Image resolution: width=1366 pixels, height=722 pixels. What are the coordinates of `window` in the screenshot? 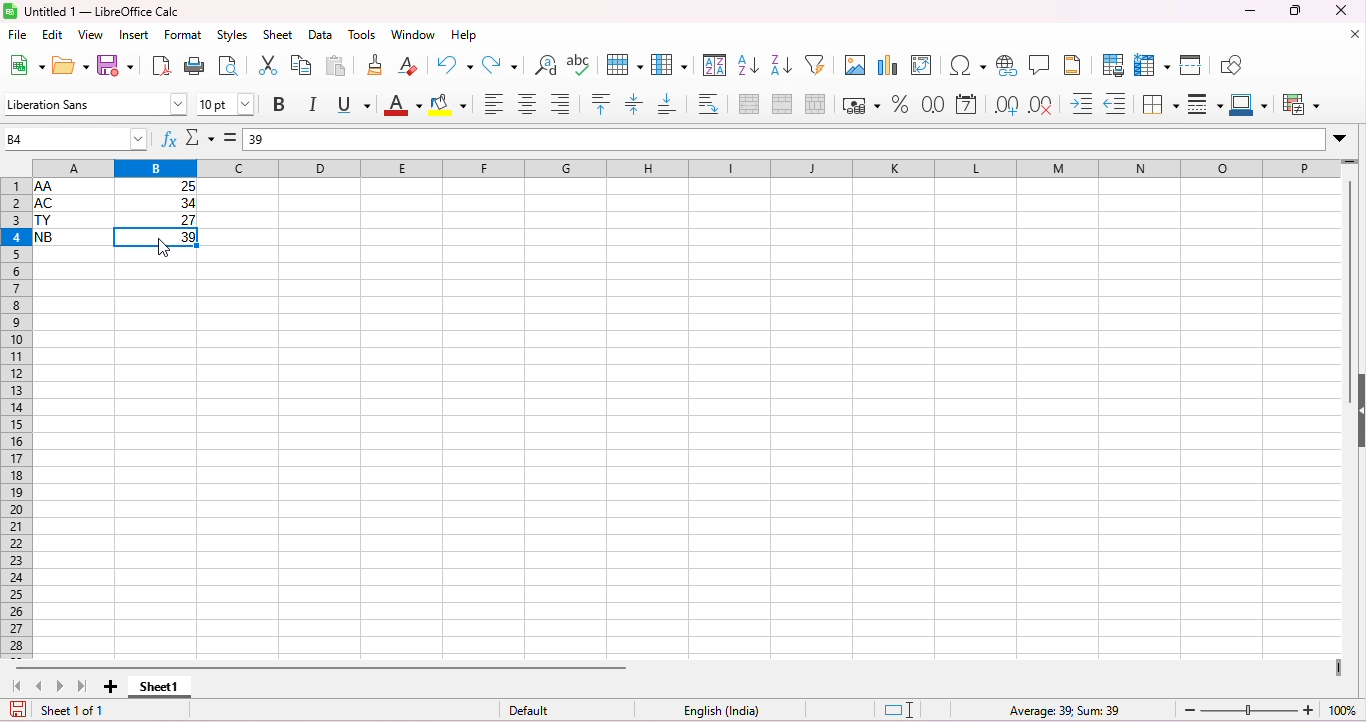 It's located at (414, 35).